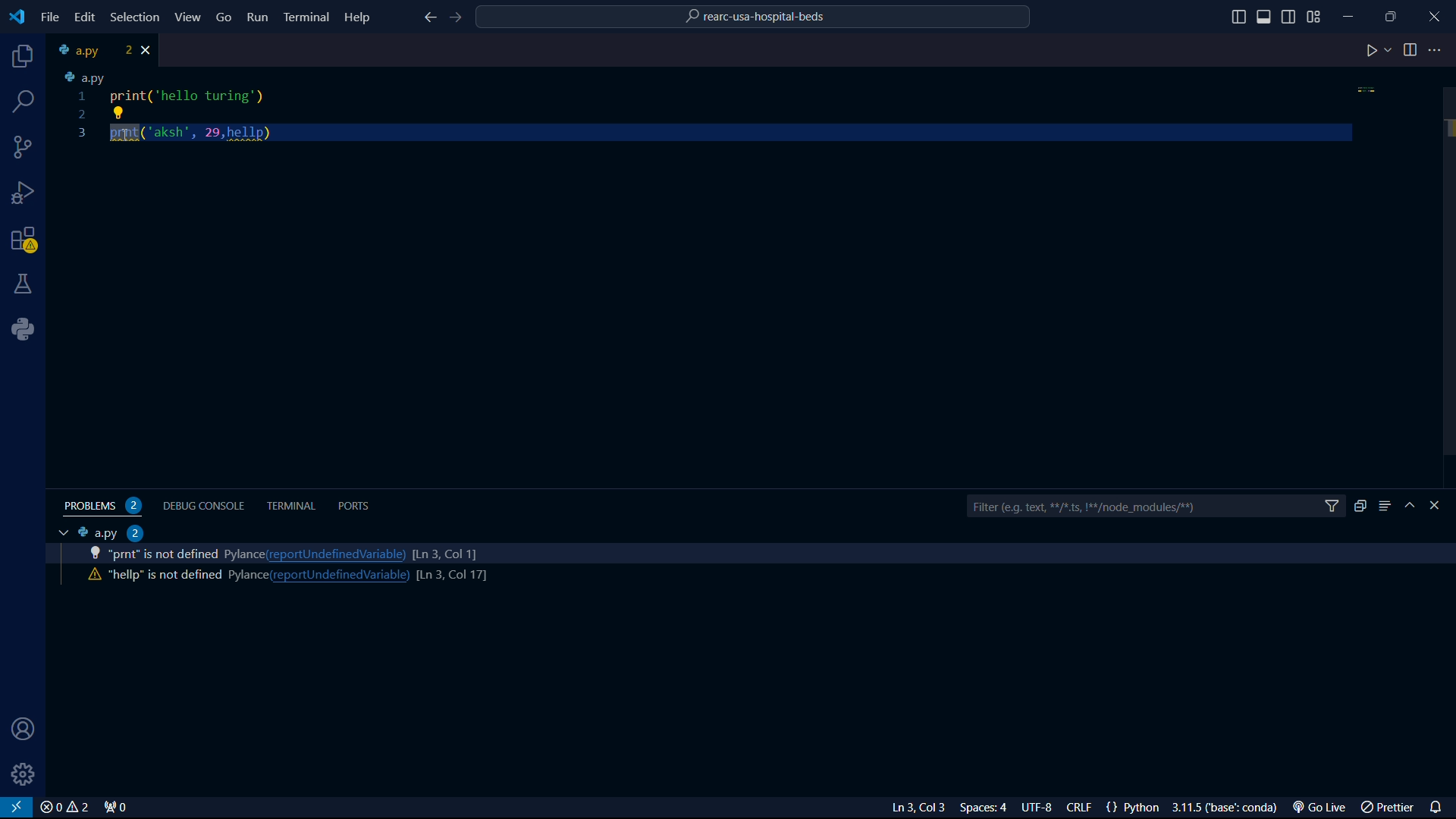 The image size is (1456, 819). What do you see at coordinates (1082, 808) in the screenshot?
I see `CRLF` at bounding box center [1082, 808].